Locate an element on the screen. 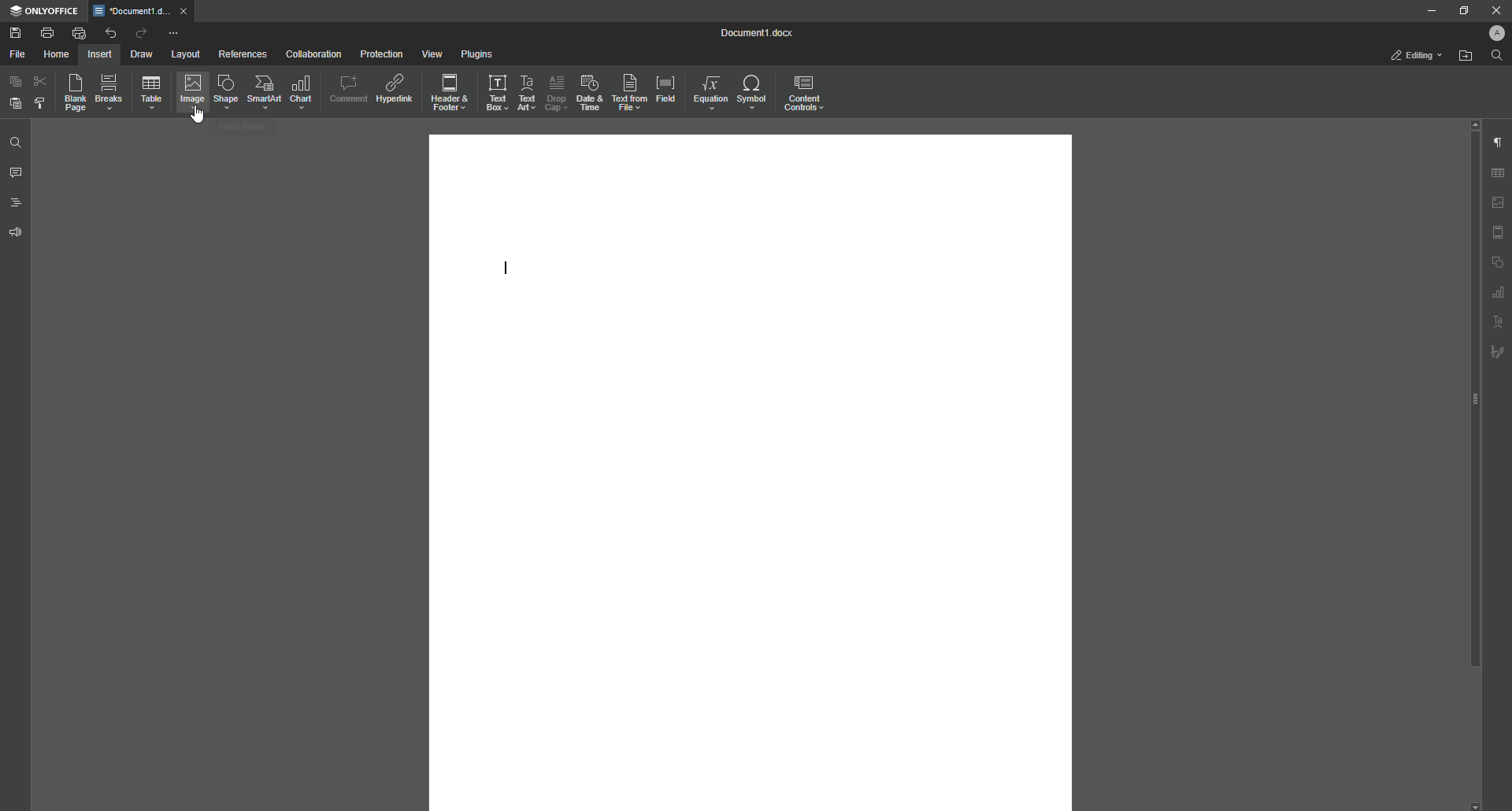 Image resolution: width=1512 pixels, height=811 pixels. Find is located at coordinates (1499, 57).